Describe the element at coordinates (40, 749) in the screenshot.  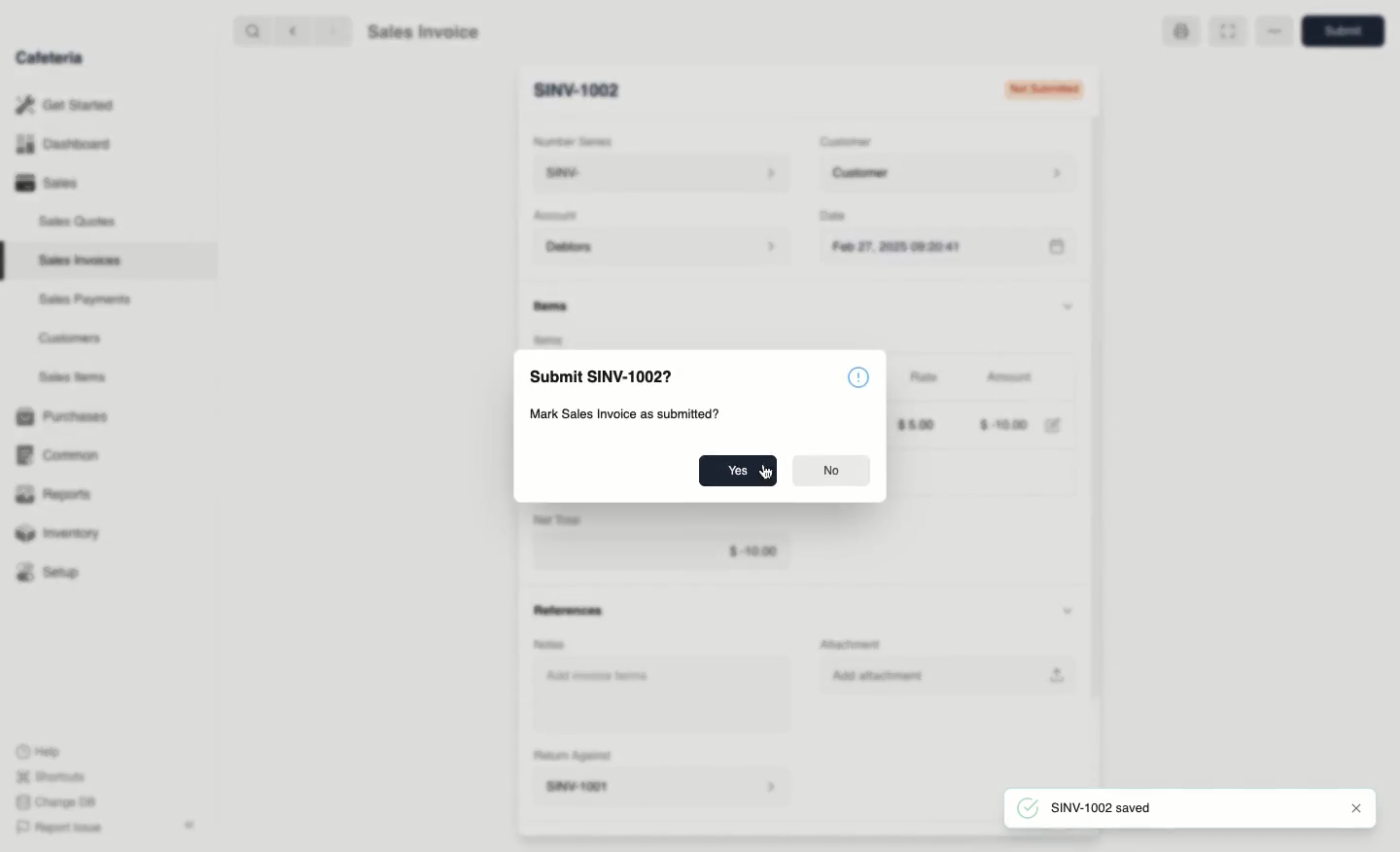
I see `Help` at that location.